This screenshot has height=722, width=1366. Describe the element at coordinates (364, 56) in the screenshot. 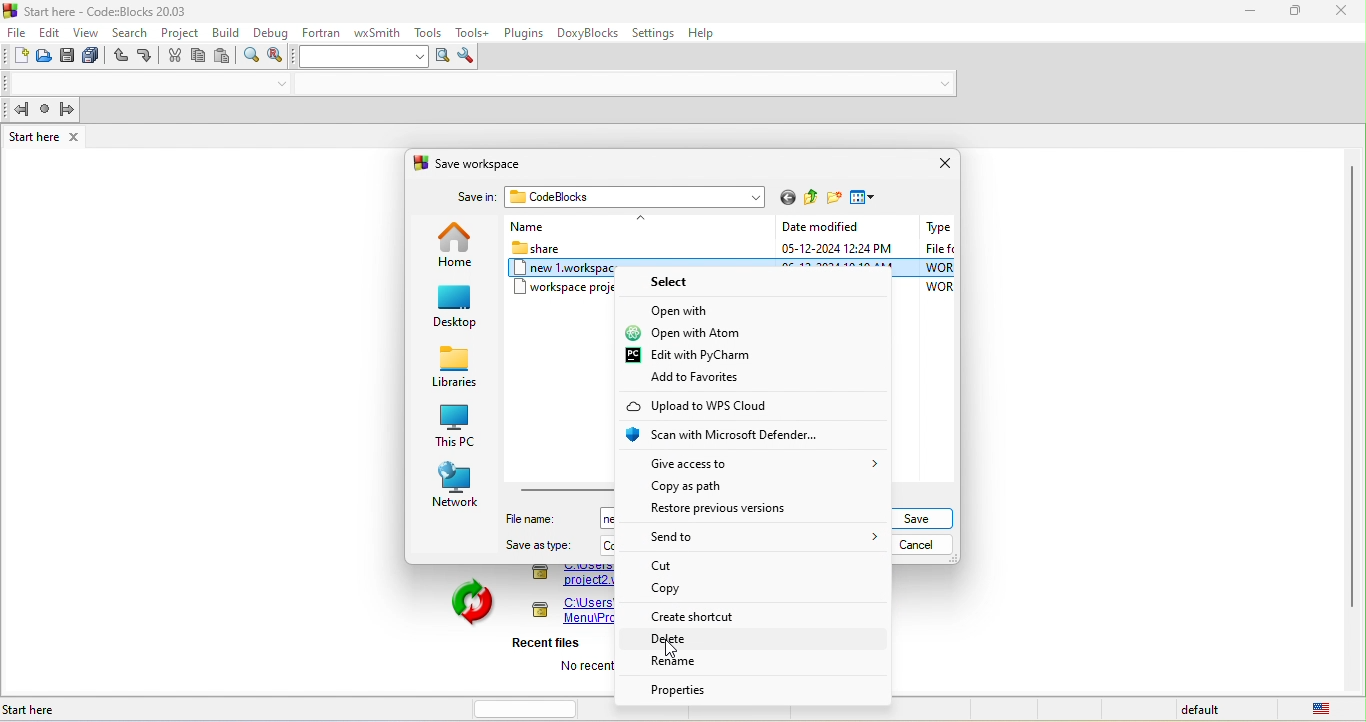

I see `text to search` at that location.